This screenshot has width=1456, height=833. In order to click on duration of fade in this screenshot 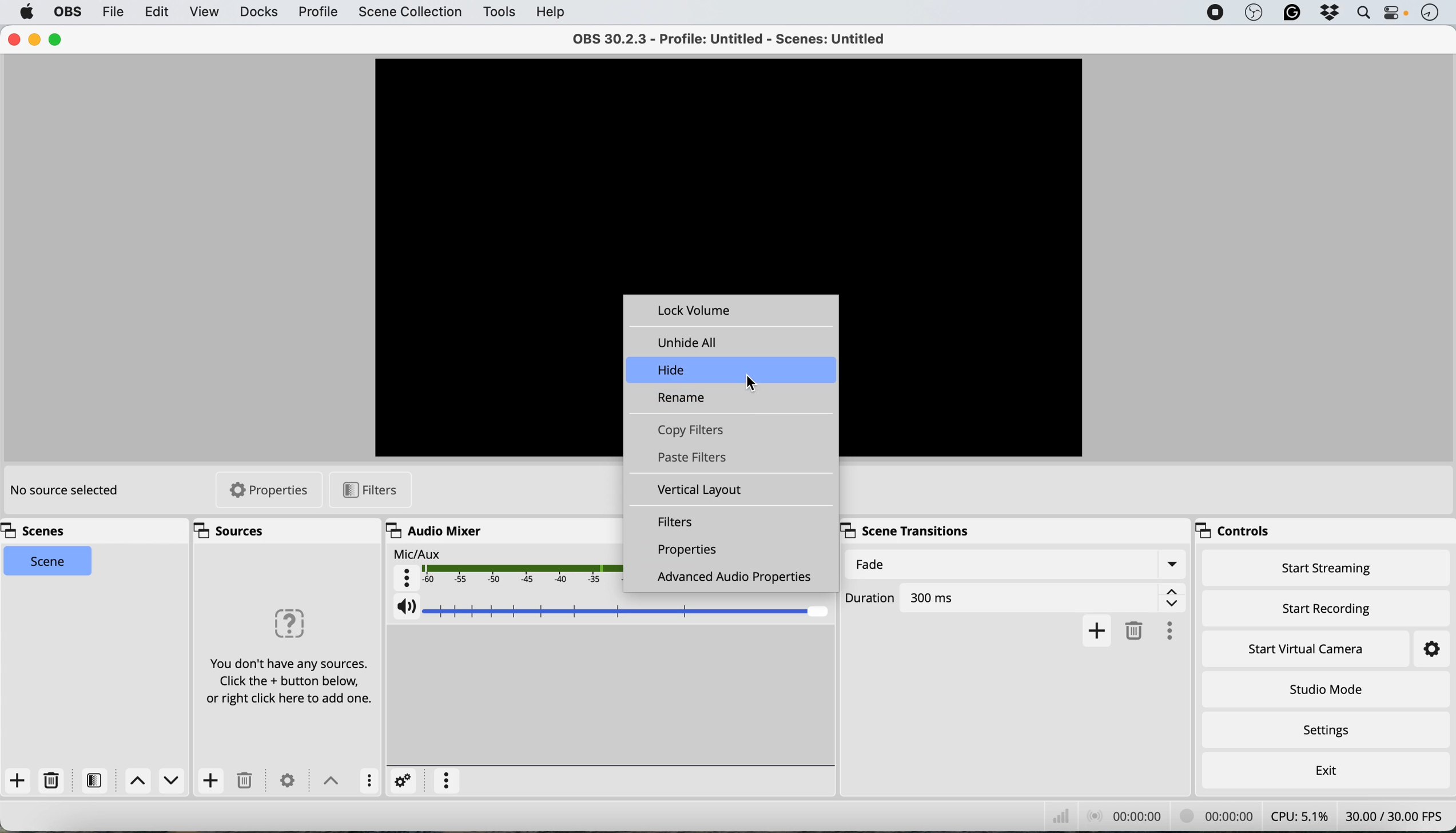, I will do `click(1013, 596)`.